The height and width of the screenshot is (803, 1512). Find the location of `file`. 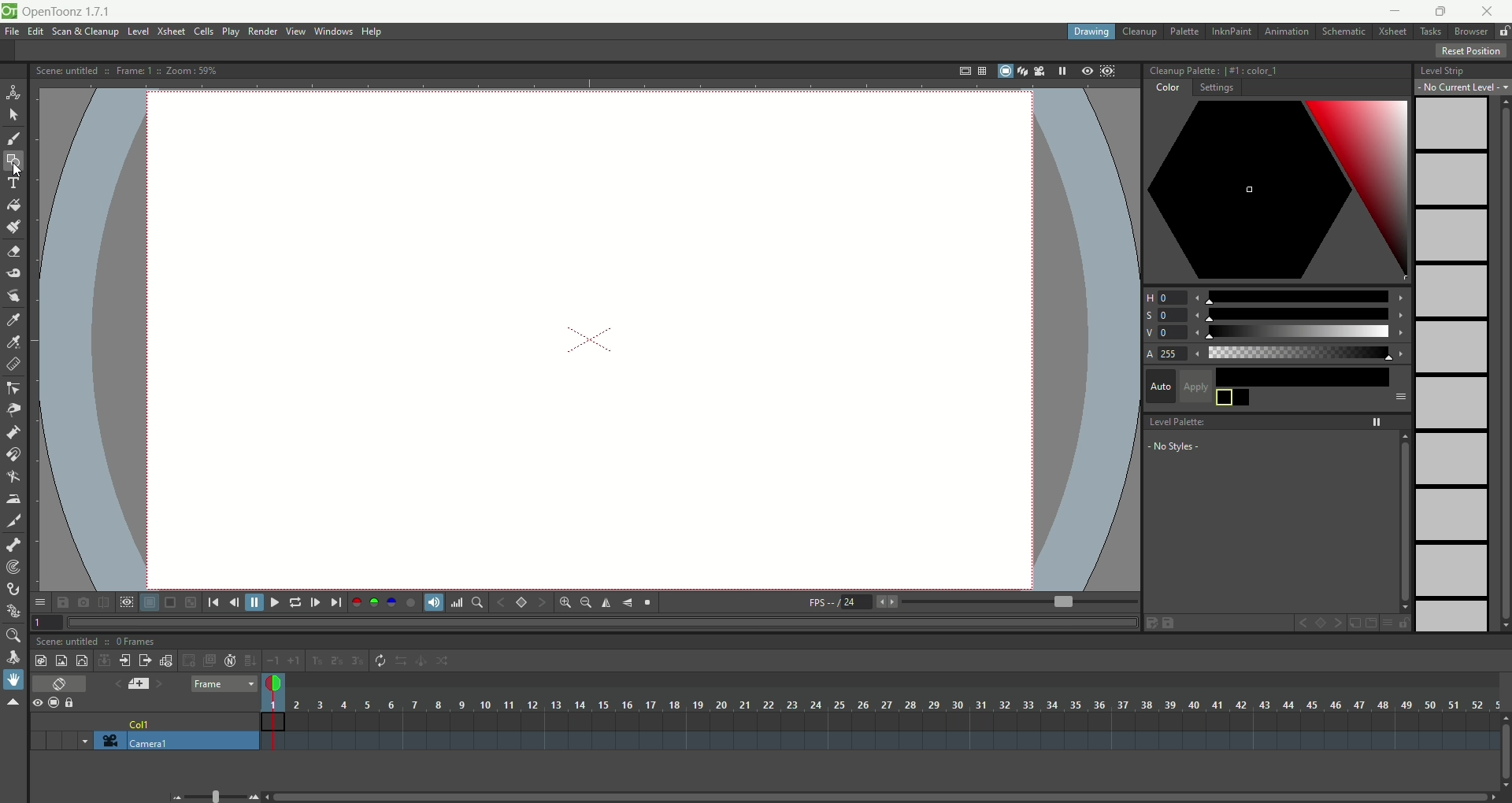

file is located at coordinates (15, 32).